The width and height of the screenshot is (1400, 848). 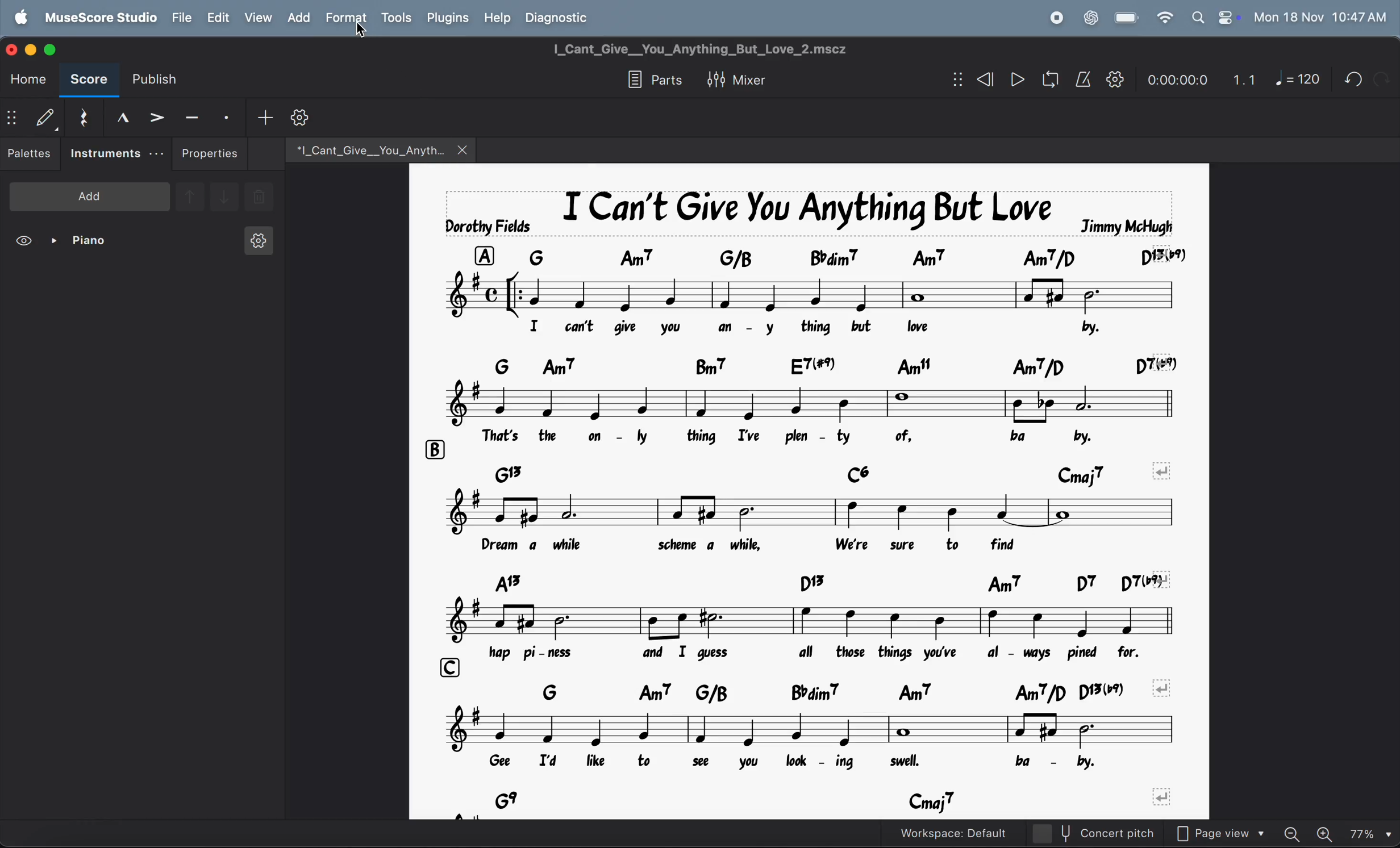 What do you see at coordinates (1297, 830) in the screenshot?
I see `zoom out` at bounding box center [1297, 830].